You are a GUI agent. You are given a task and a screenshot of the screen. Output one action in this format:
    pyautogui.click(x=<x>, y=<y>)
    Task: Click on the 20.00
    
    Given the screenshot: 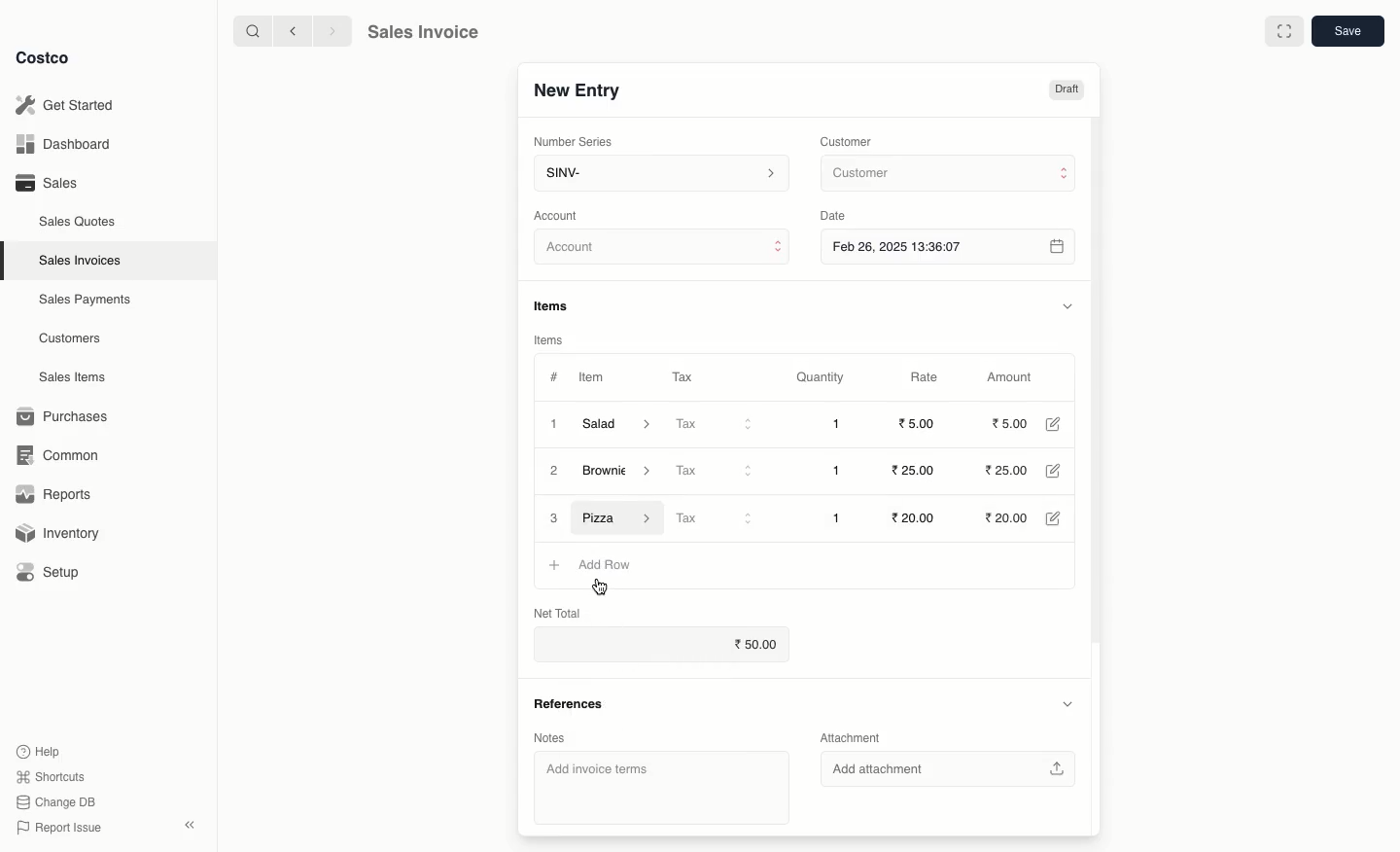 What is the action you would take?
    pyautogui.click(x=1004, y=516)
    